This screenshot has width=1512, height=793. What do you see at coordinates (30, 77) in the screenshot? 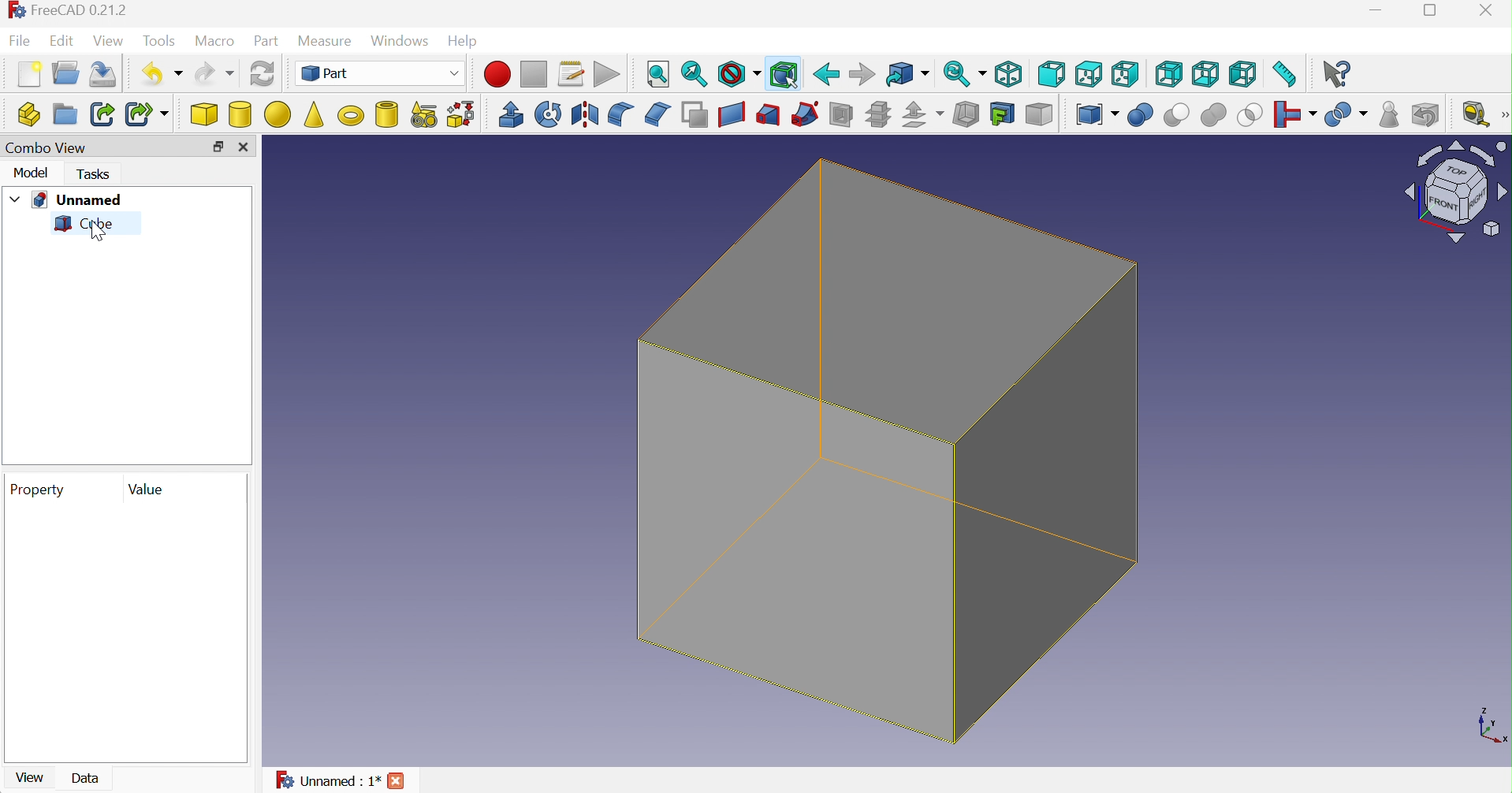
I see `New` at bounding box center [30, 77].